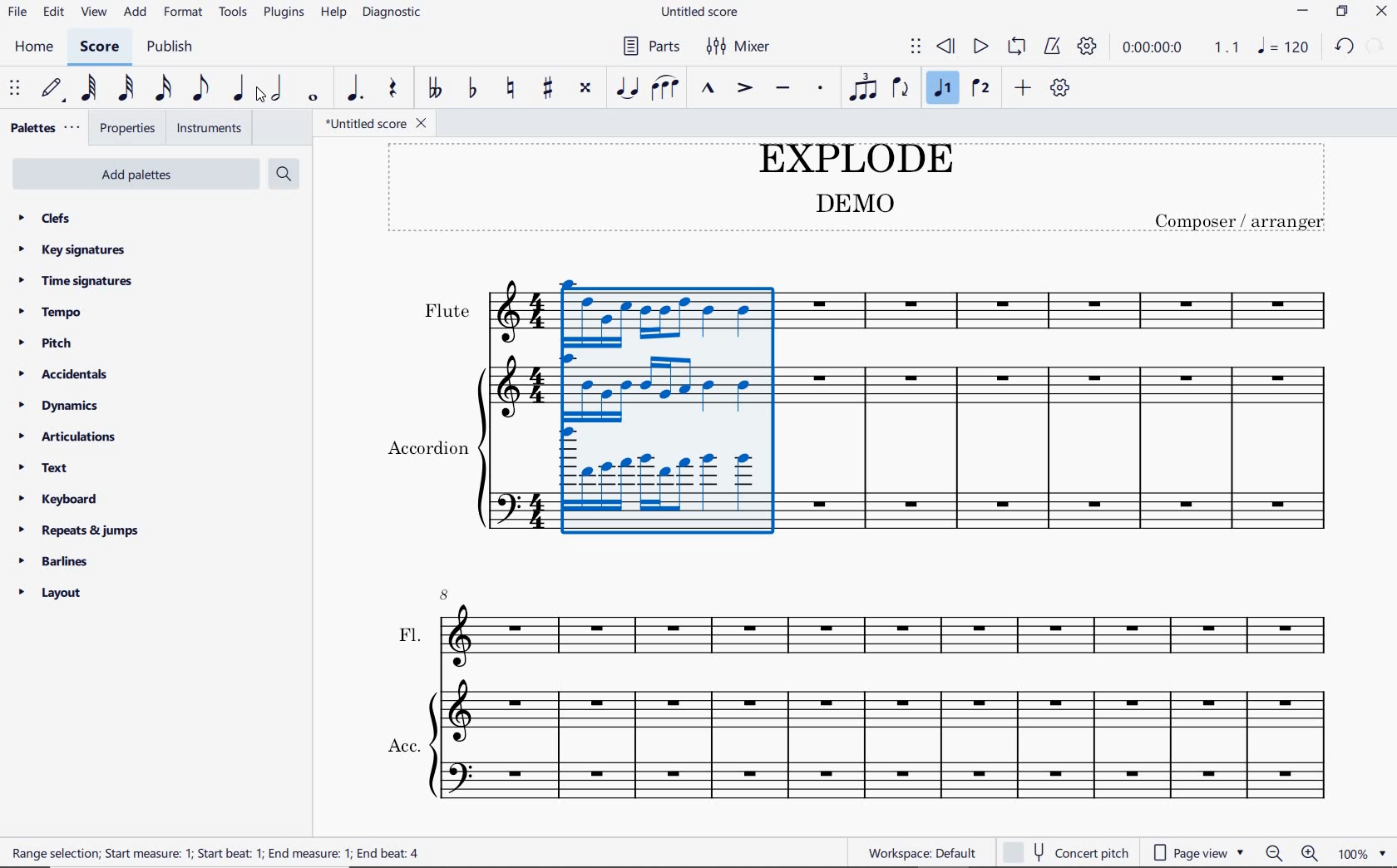  Describe the element at coordinates (472, 89) in the screenshot. I see `toggle flat` at that location.